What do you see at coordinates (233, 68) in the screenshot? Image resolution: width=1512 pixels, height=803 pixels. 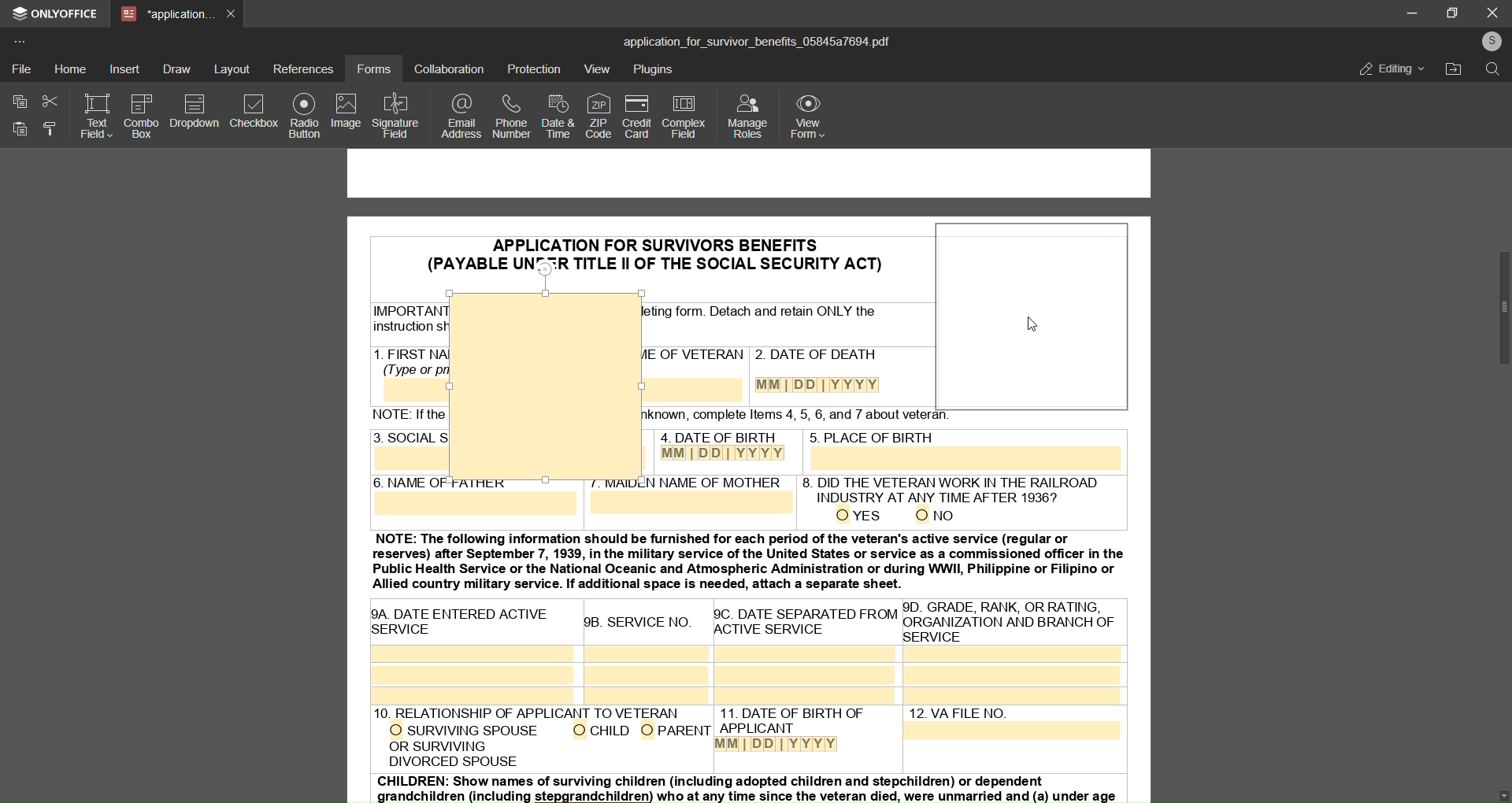 I see `layout` at bounding box center [233, 68].